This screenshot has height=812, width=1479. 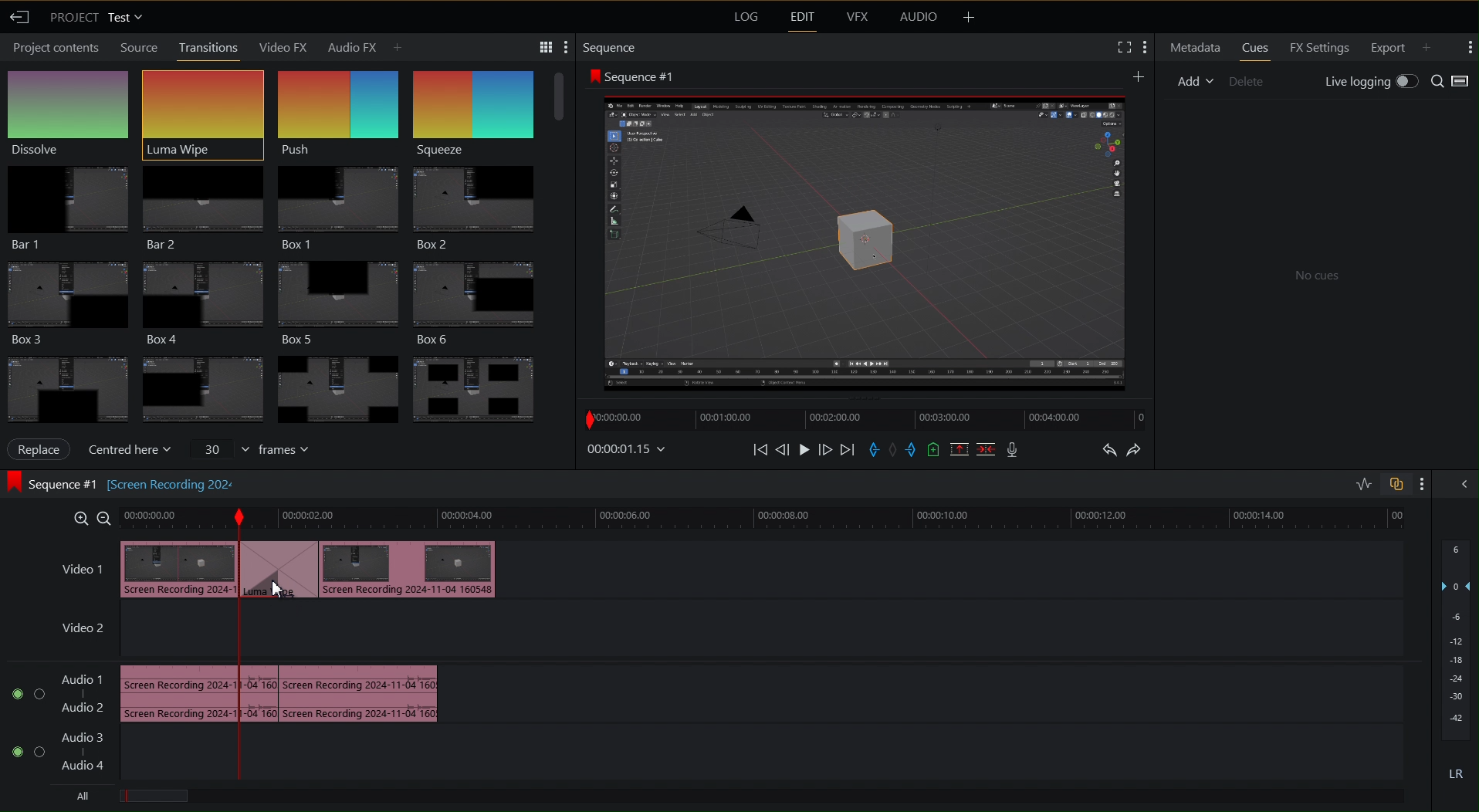 I want to click on Bar 2, so click(x=201, y=204).